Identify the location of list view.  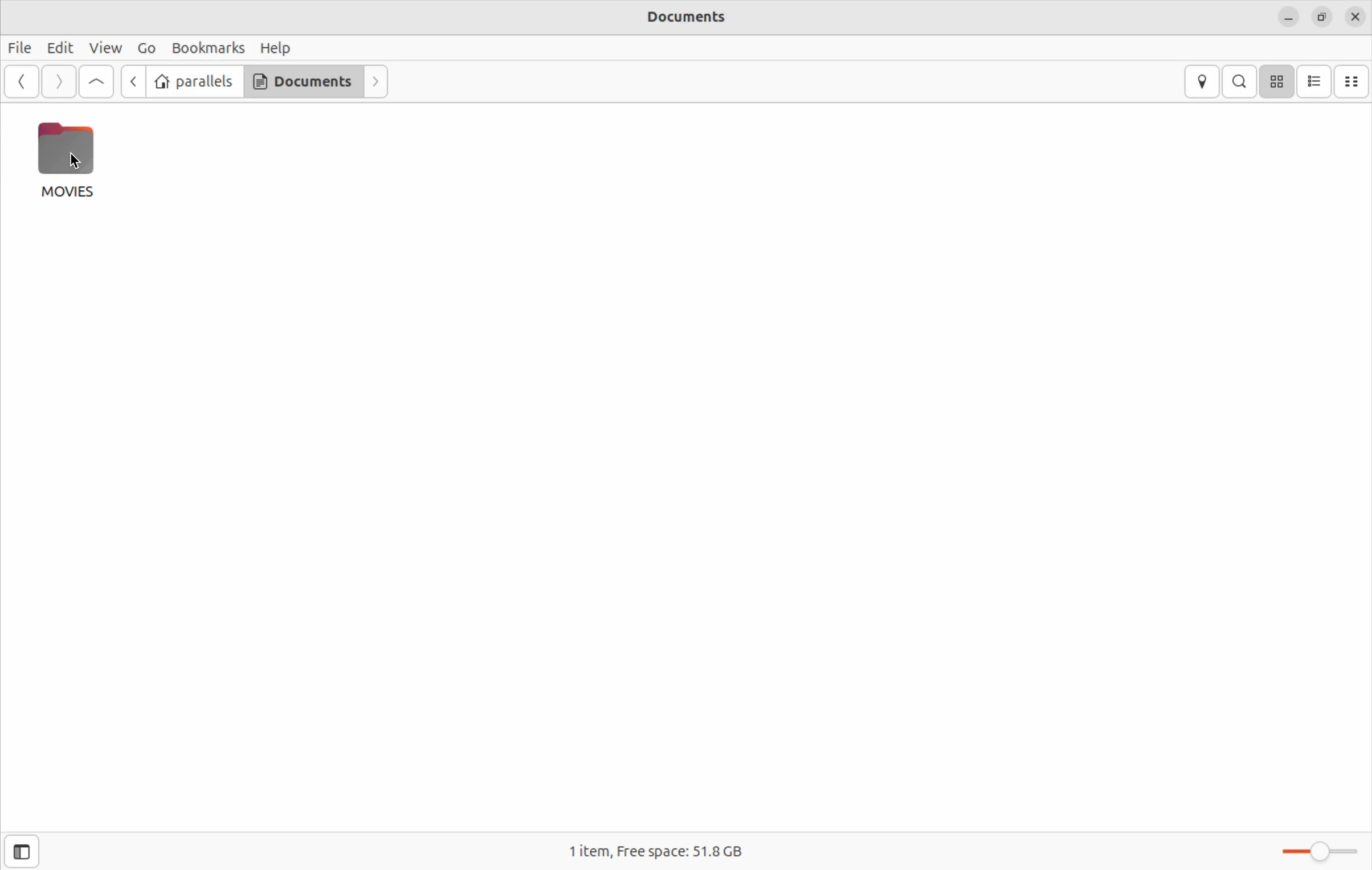
(1316, 82).